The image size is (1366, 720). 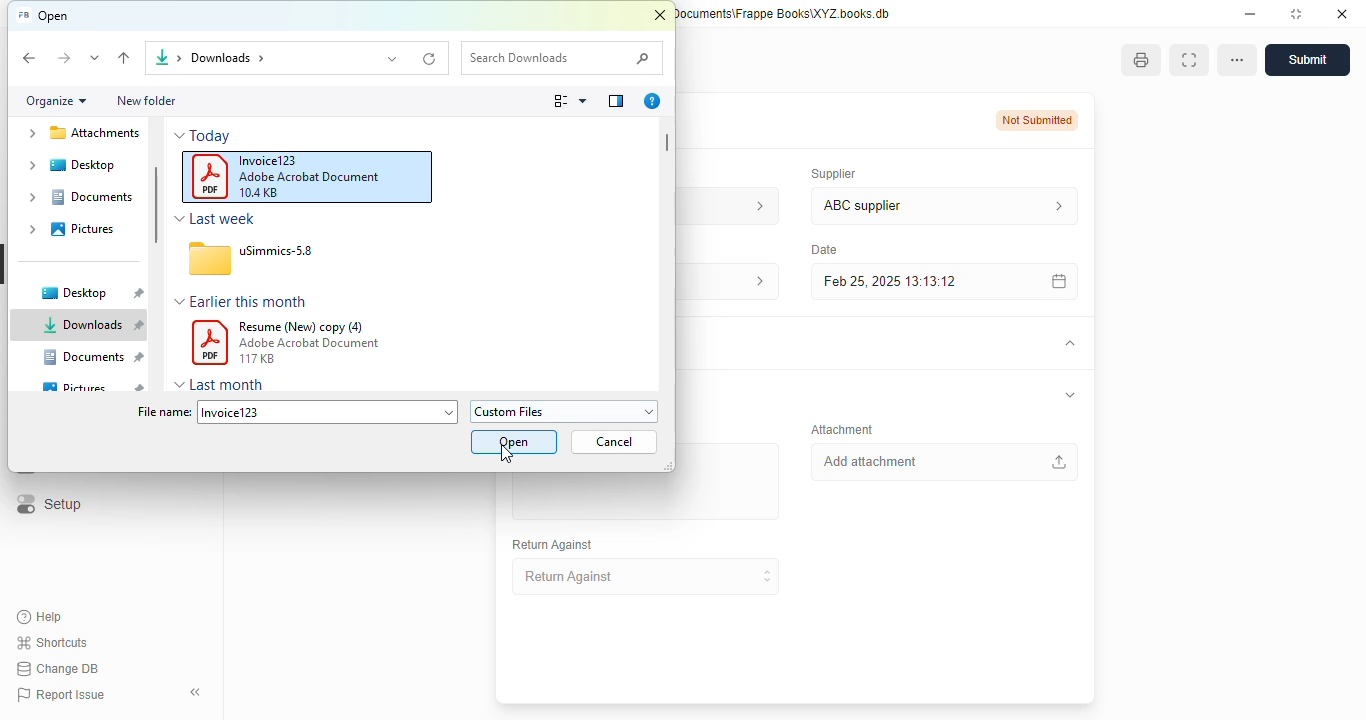 I want to click on resume (new) copy (4), so click(x=302, y=327).